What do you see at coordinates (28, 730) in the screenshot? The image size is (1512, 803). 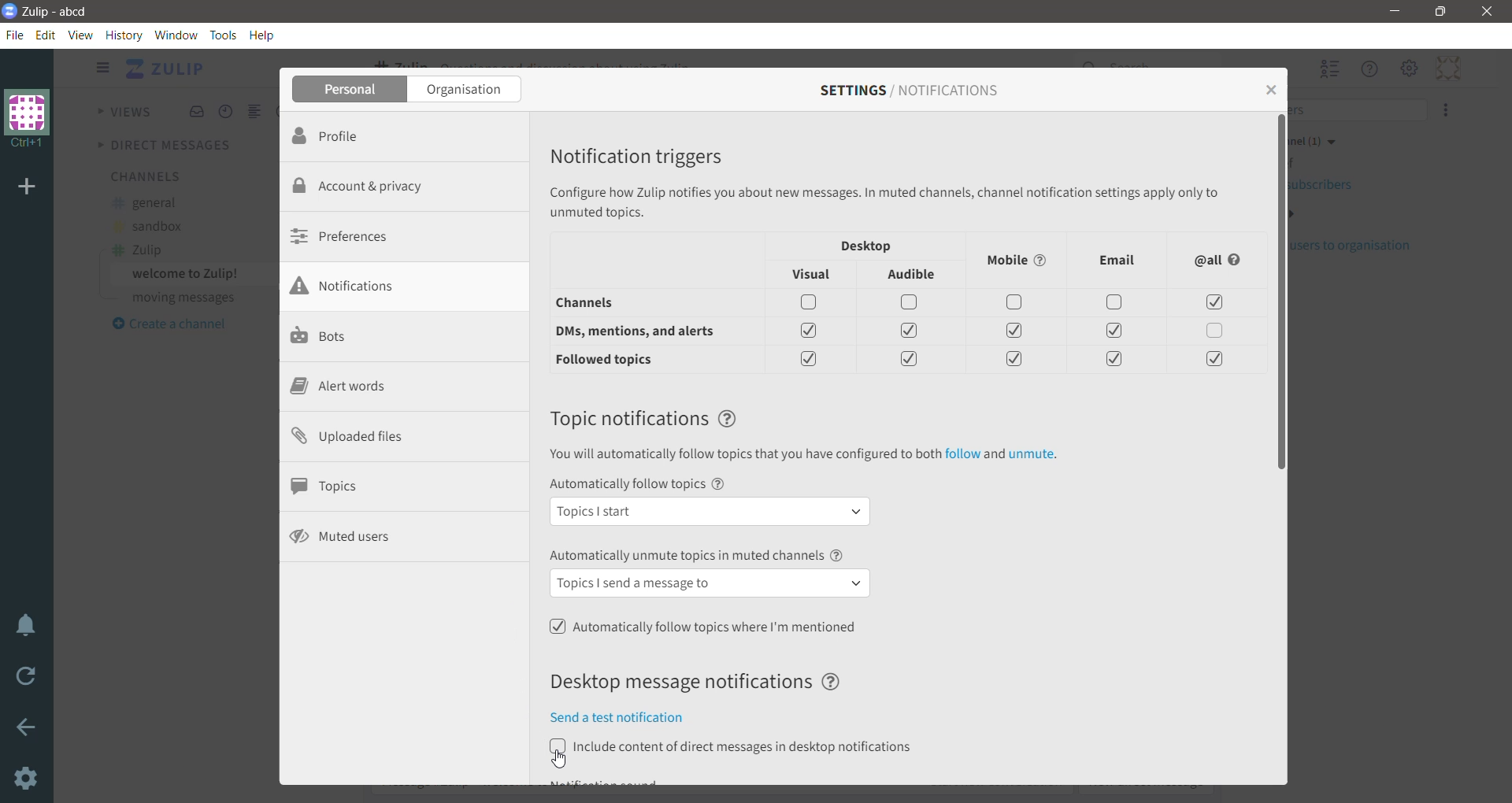 I see `Go back` at bounding box center [28, 730].